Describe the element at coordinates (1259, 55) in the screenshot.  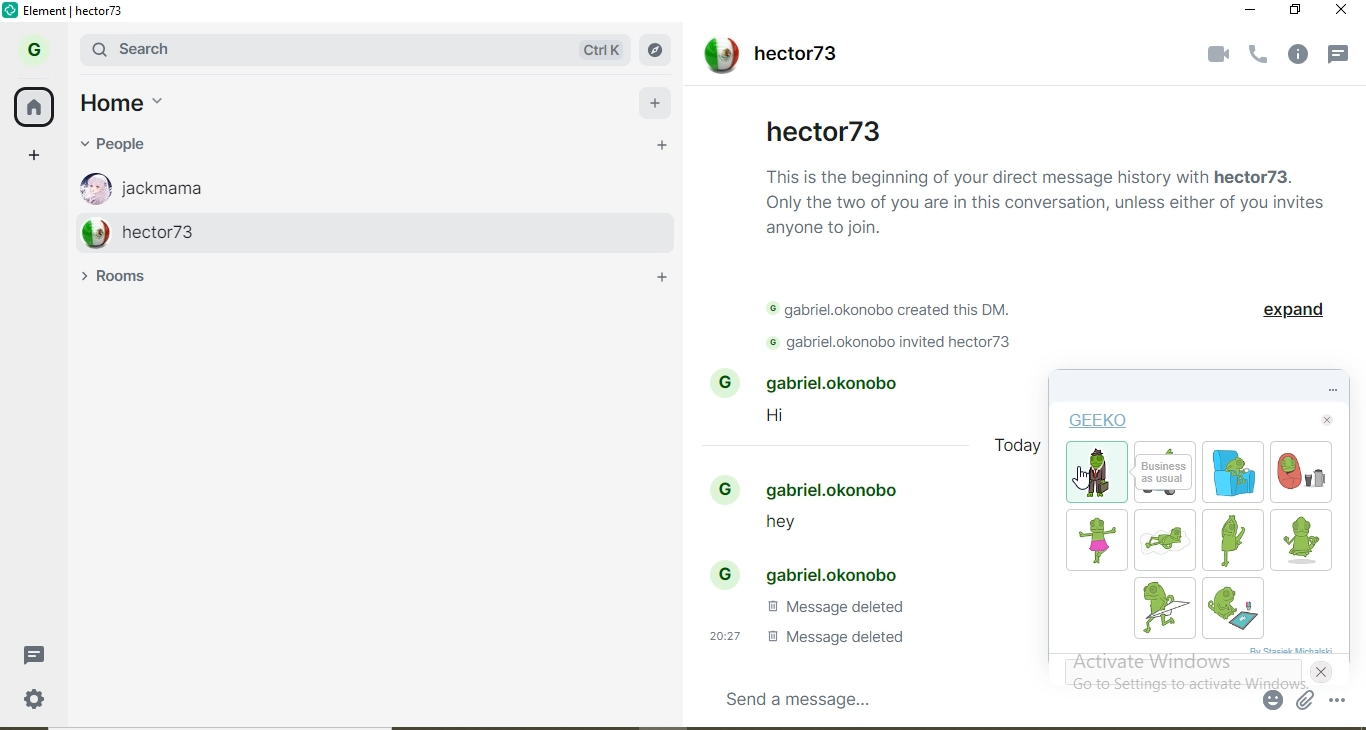
I see `voice call` at that location.